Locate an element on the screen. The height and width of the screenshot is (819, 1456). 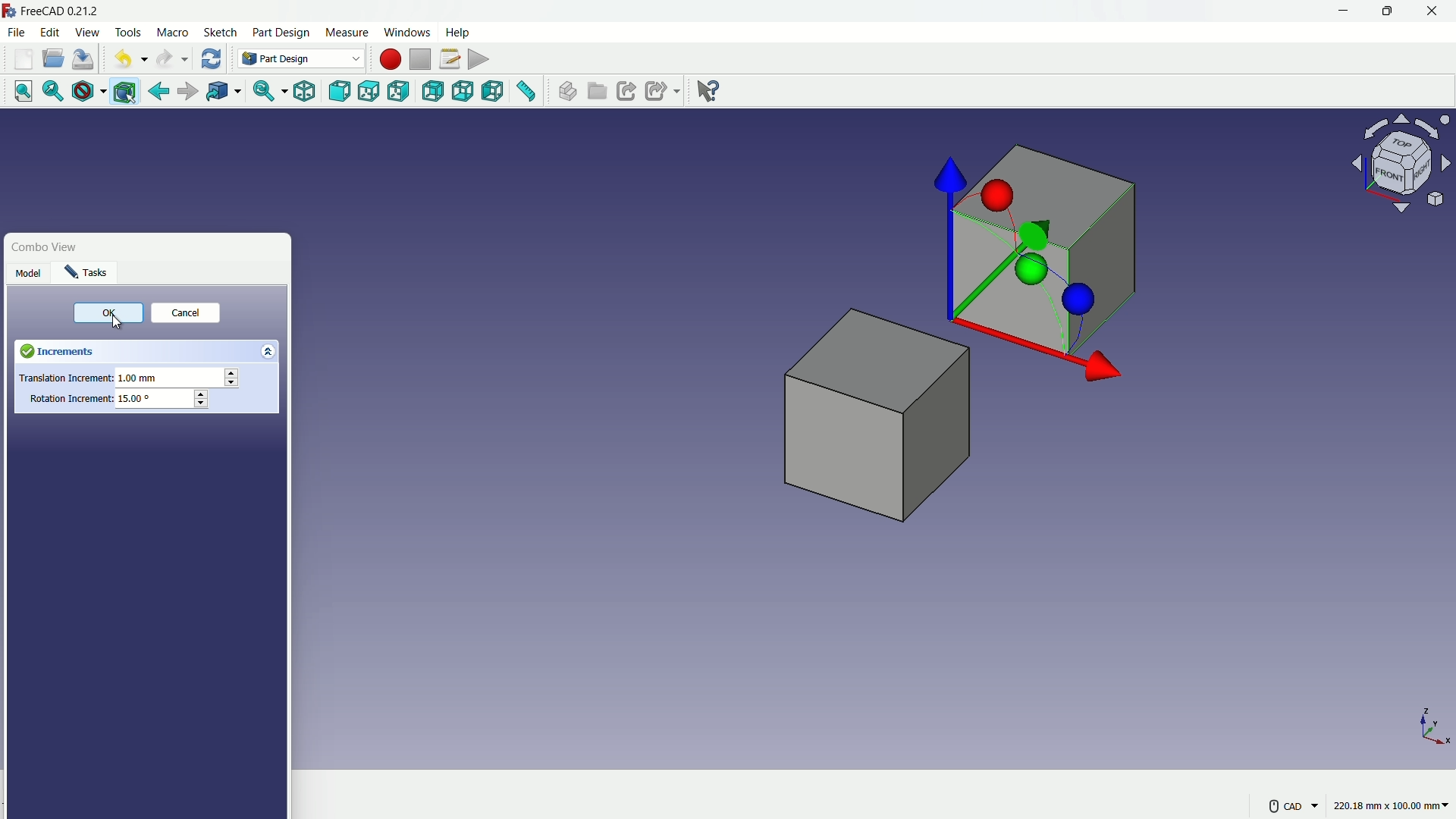
220.18 mm x 100.00 mm~ is located at coordinates (1391, 805).